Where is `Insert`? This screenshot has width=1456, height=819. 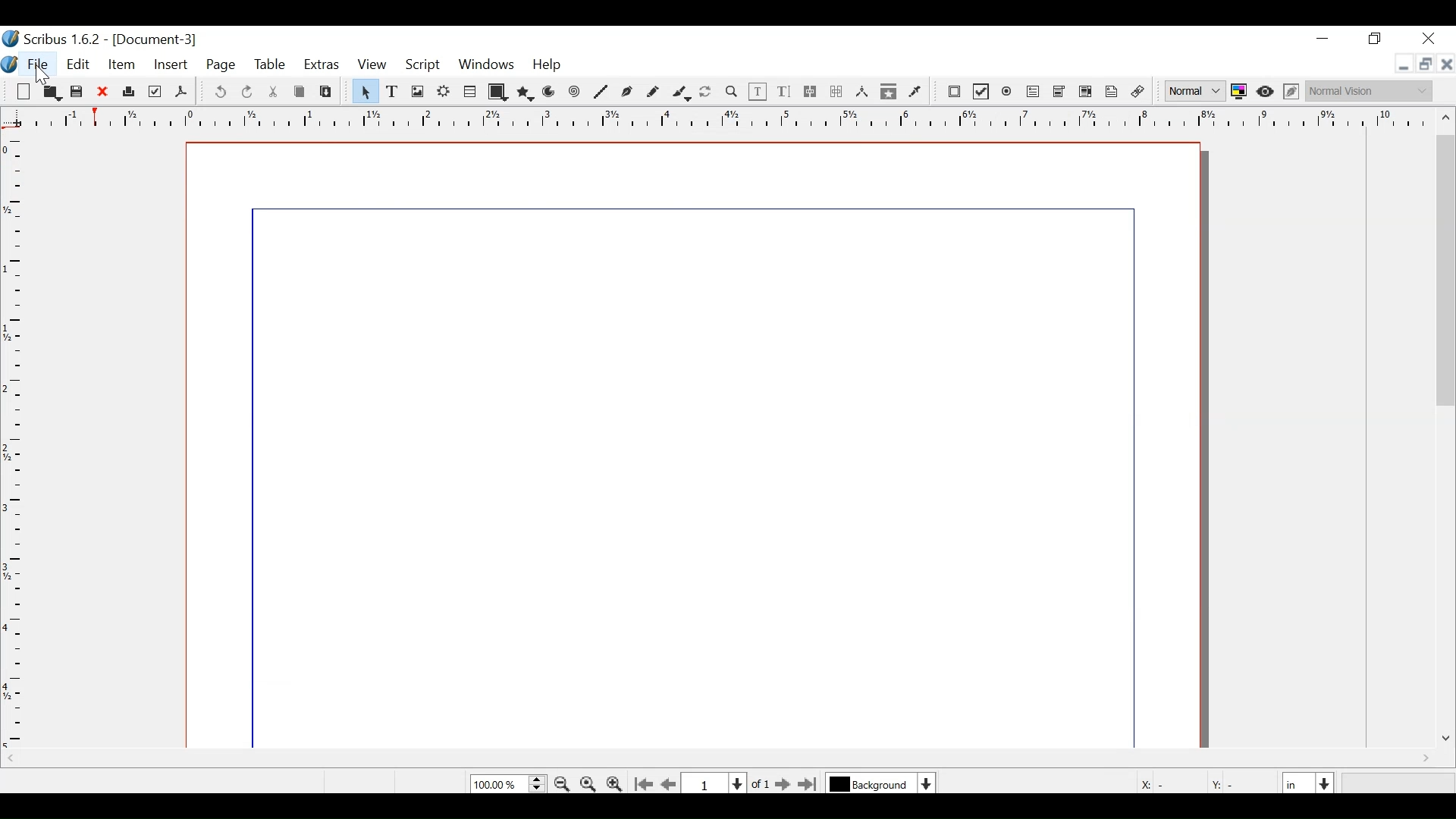 Insert is located at coordinates (170, 65).